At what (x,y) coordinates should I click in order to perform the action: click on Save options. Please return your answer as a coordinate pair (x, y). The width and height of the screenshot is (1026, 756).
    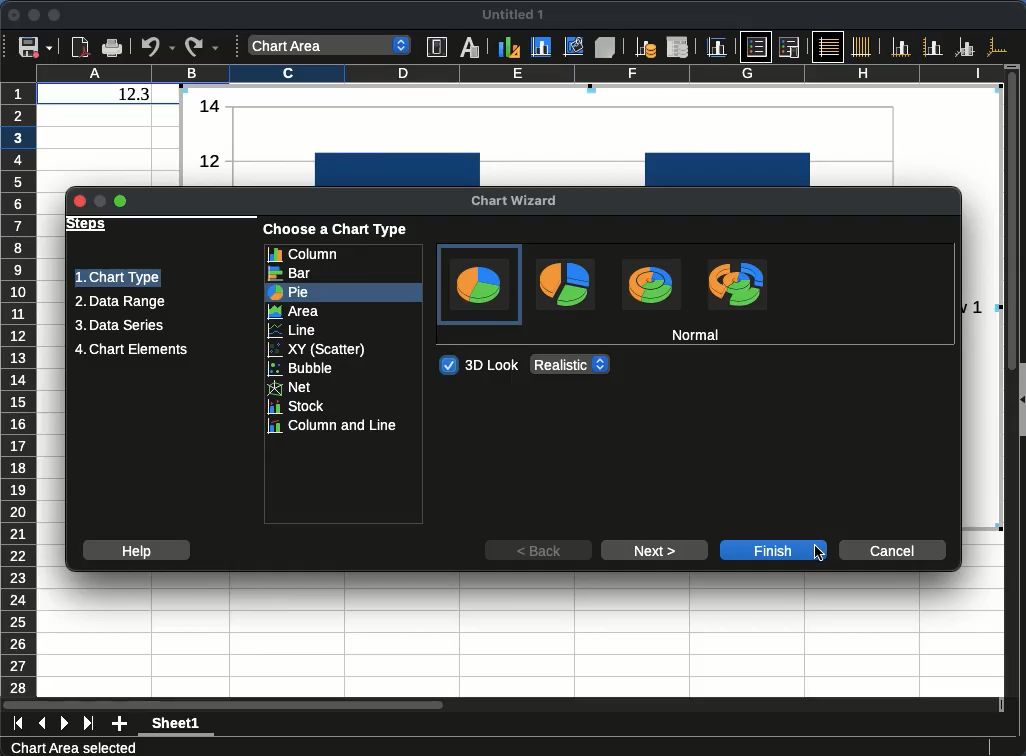
    Looking at the image, I should click on (36, 47).